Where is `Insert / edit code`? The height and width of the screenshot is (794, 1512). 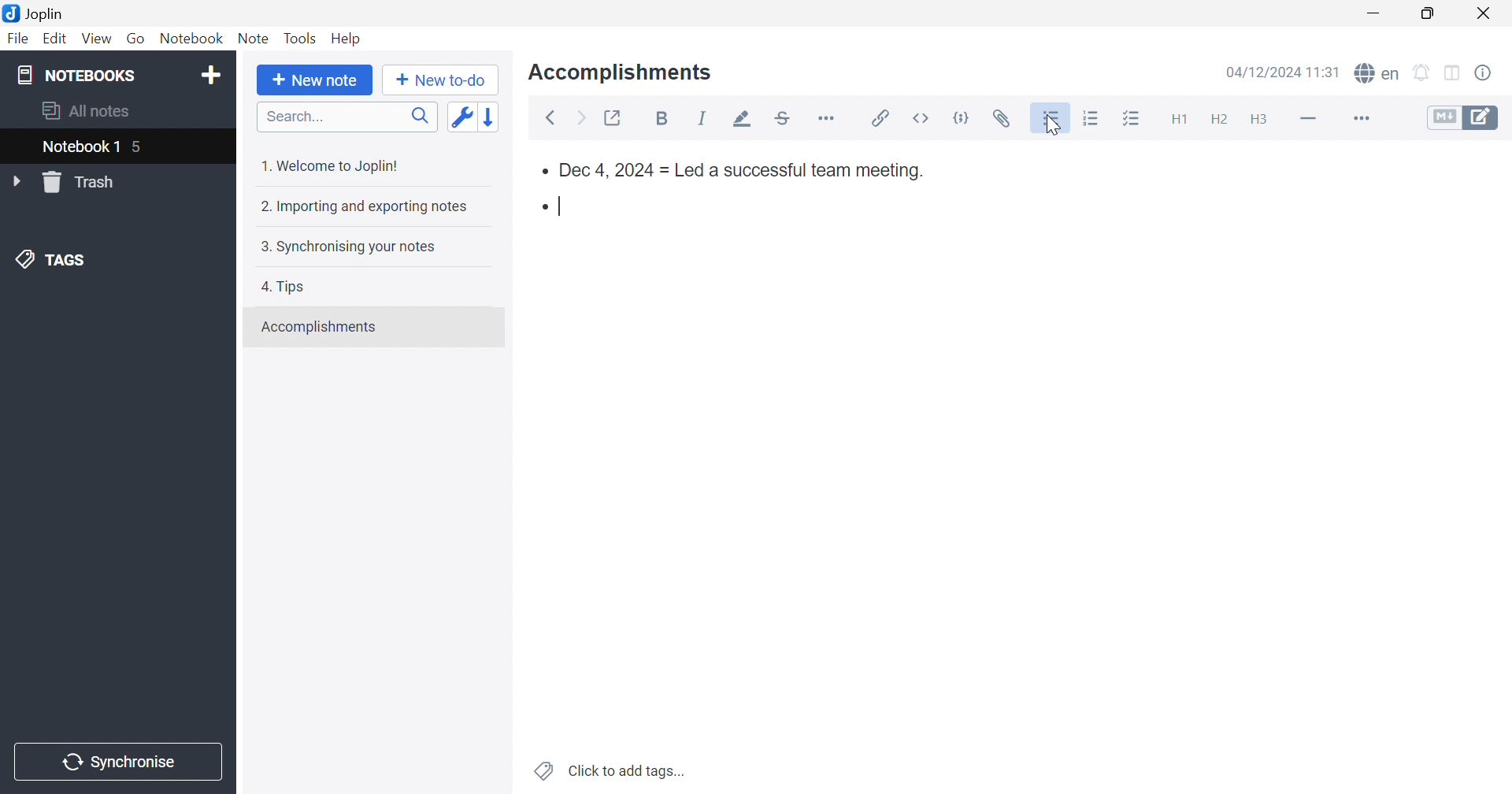 Insert / edit code is located at coordinates (877, 118).